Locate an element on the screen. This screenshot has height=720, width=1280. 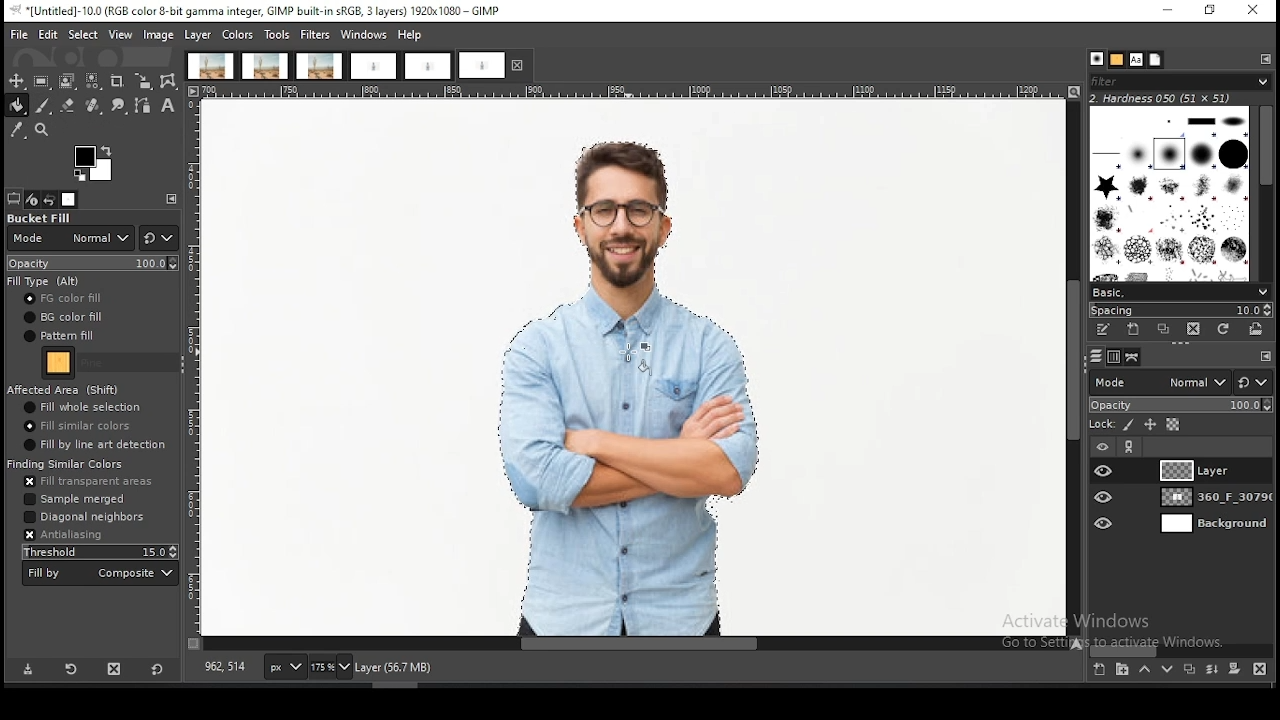
restore is located at coordinates (1212, 12).